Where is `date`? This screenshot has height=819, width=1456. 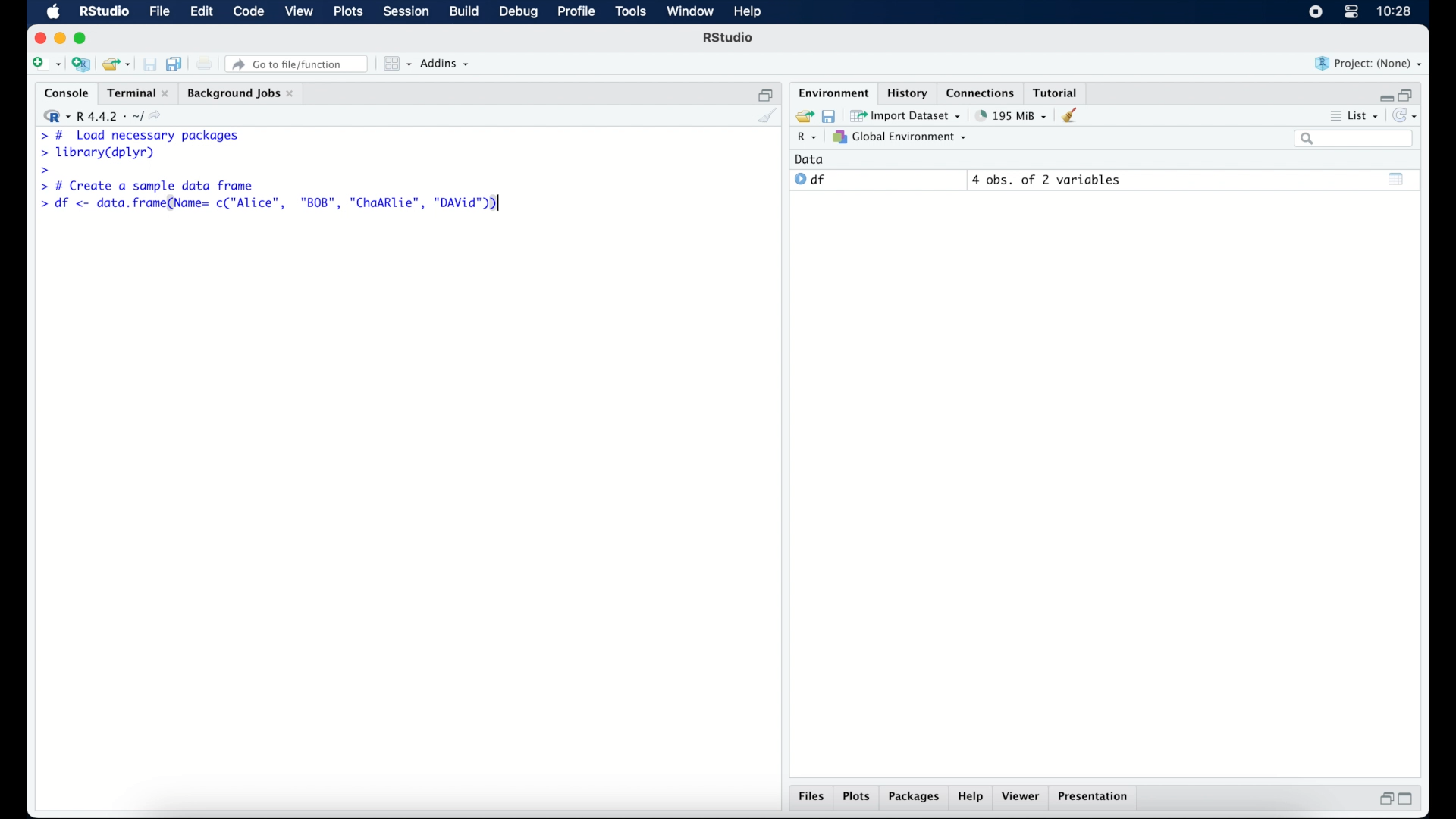
date is located at coordinates (810, 158).